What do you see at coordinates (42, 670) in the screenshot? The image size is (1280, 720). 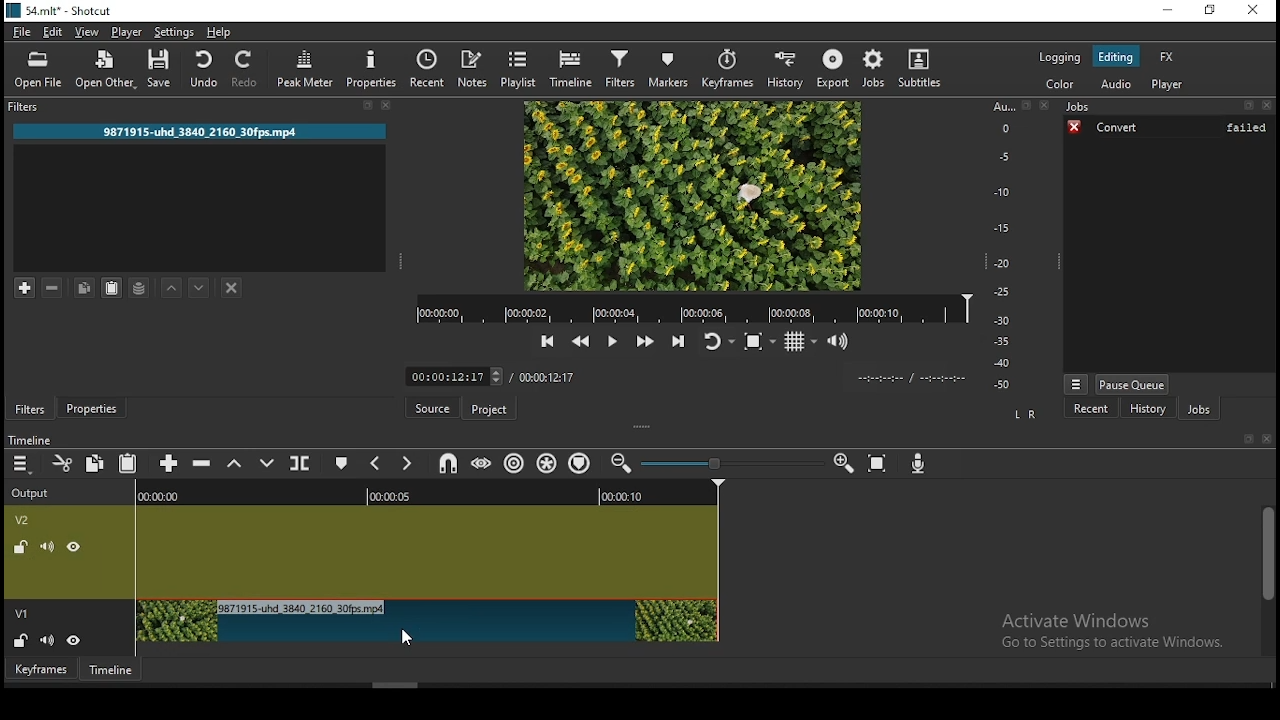 I see `keyframe` at bounding box center [42, 670].